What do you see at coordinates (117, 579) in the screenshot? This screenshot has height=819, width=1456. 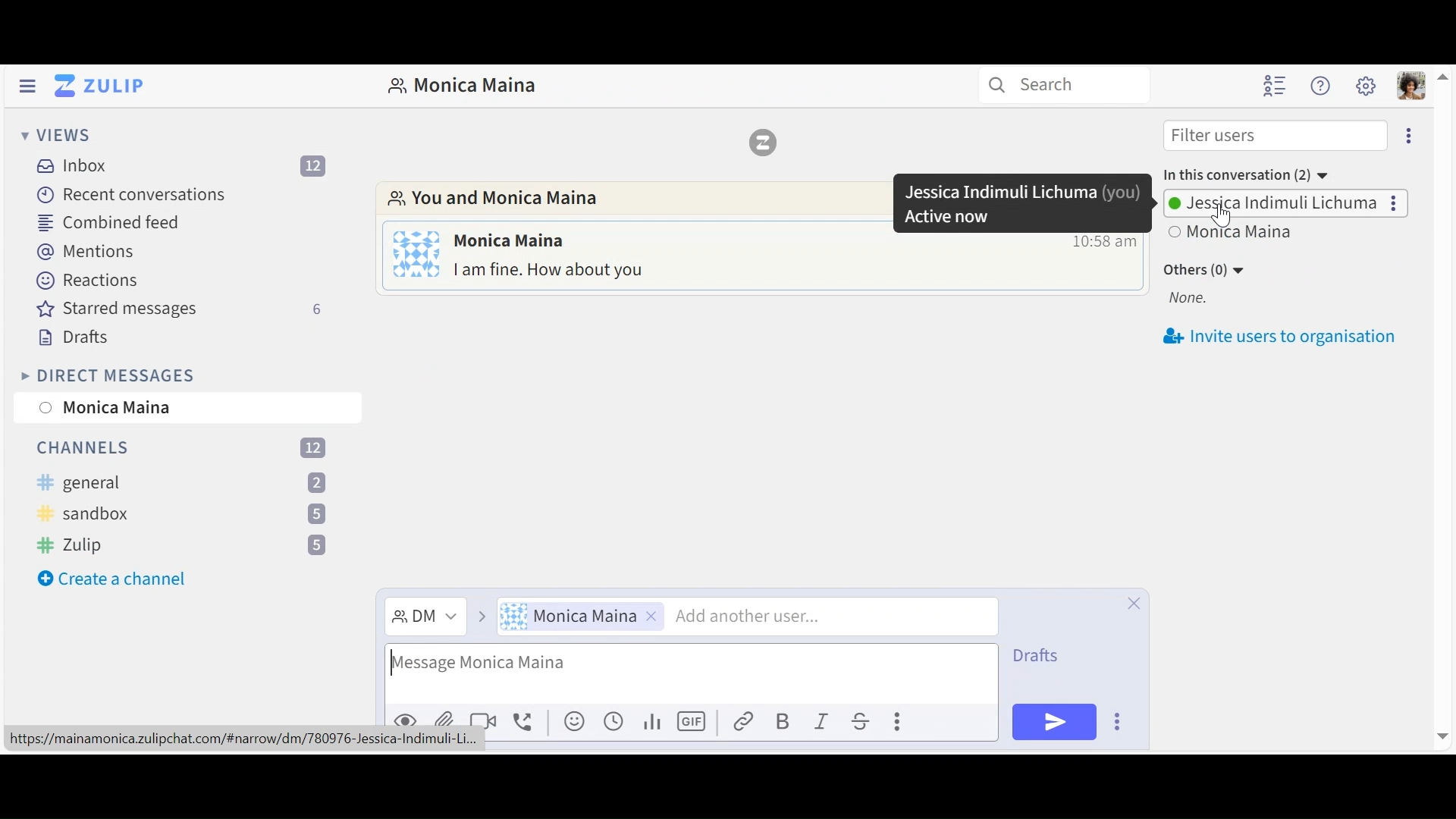 I see `create a channle` at bounding box center [117, 579].